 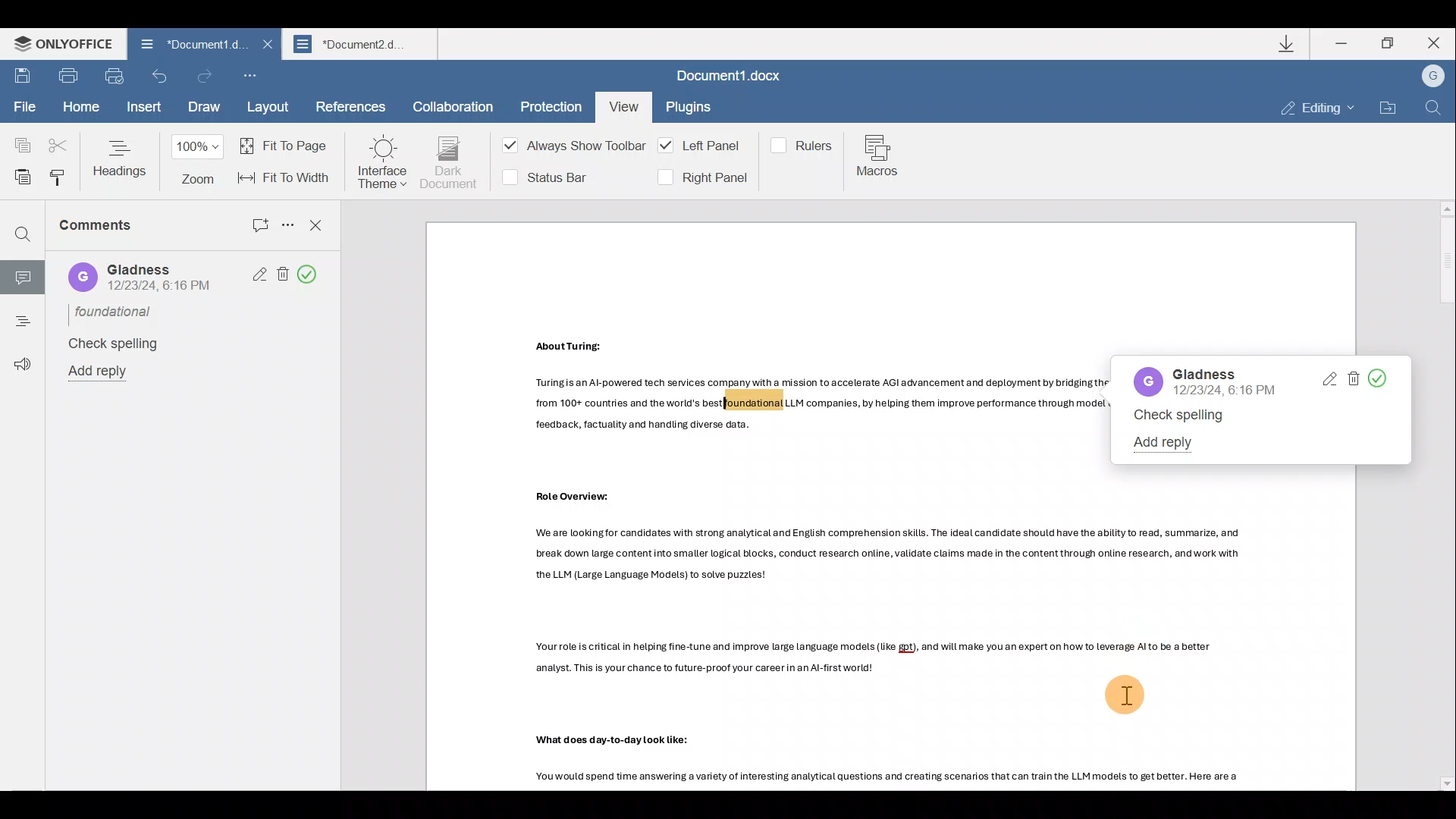 What do you see at coordinates (877, 659) in the screenshot?
I see `` at bounding box center [877, 659].